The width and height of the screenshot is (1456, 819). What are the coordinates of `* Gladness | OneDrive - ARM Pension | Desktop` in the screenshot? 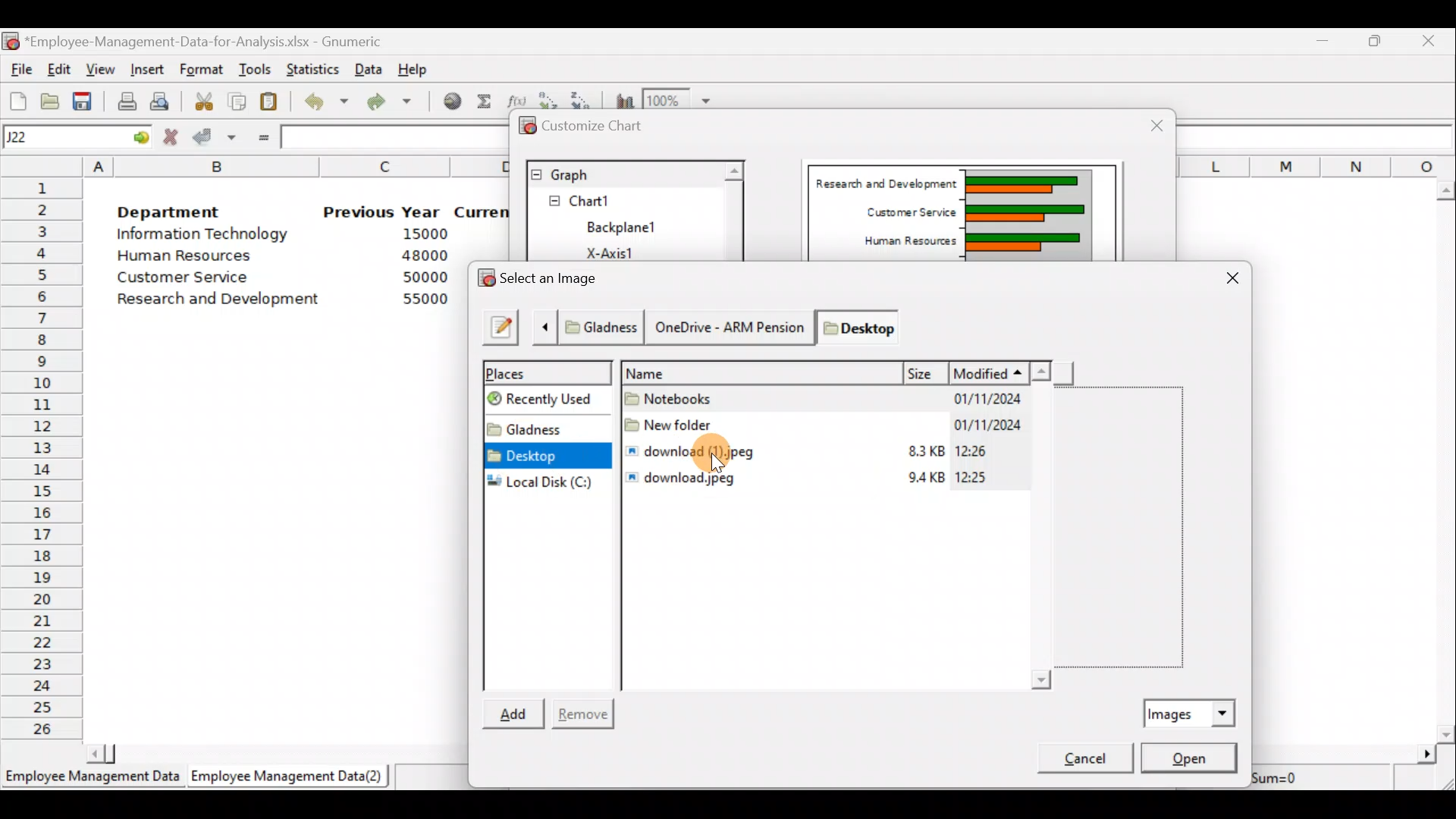 It's located at (731, 325).